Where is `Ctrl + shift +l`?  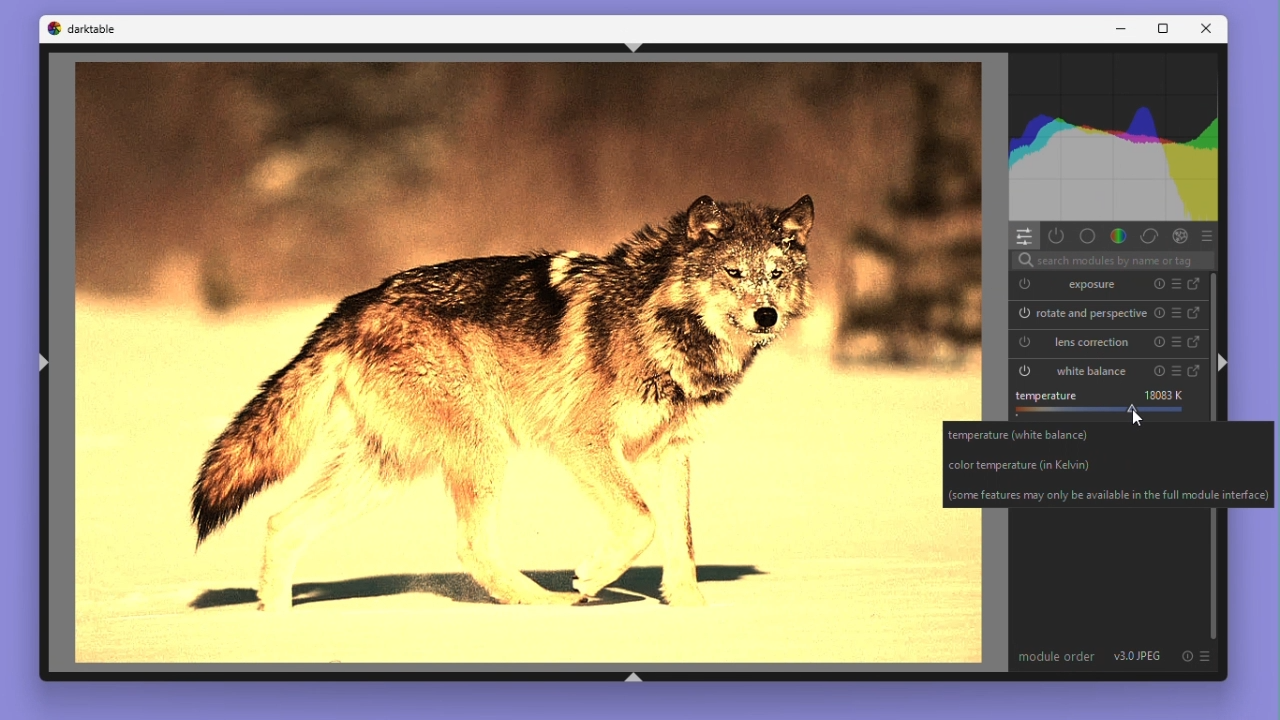 Ctrl + shift +l is located at coordinates (43, 366).